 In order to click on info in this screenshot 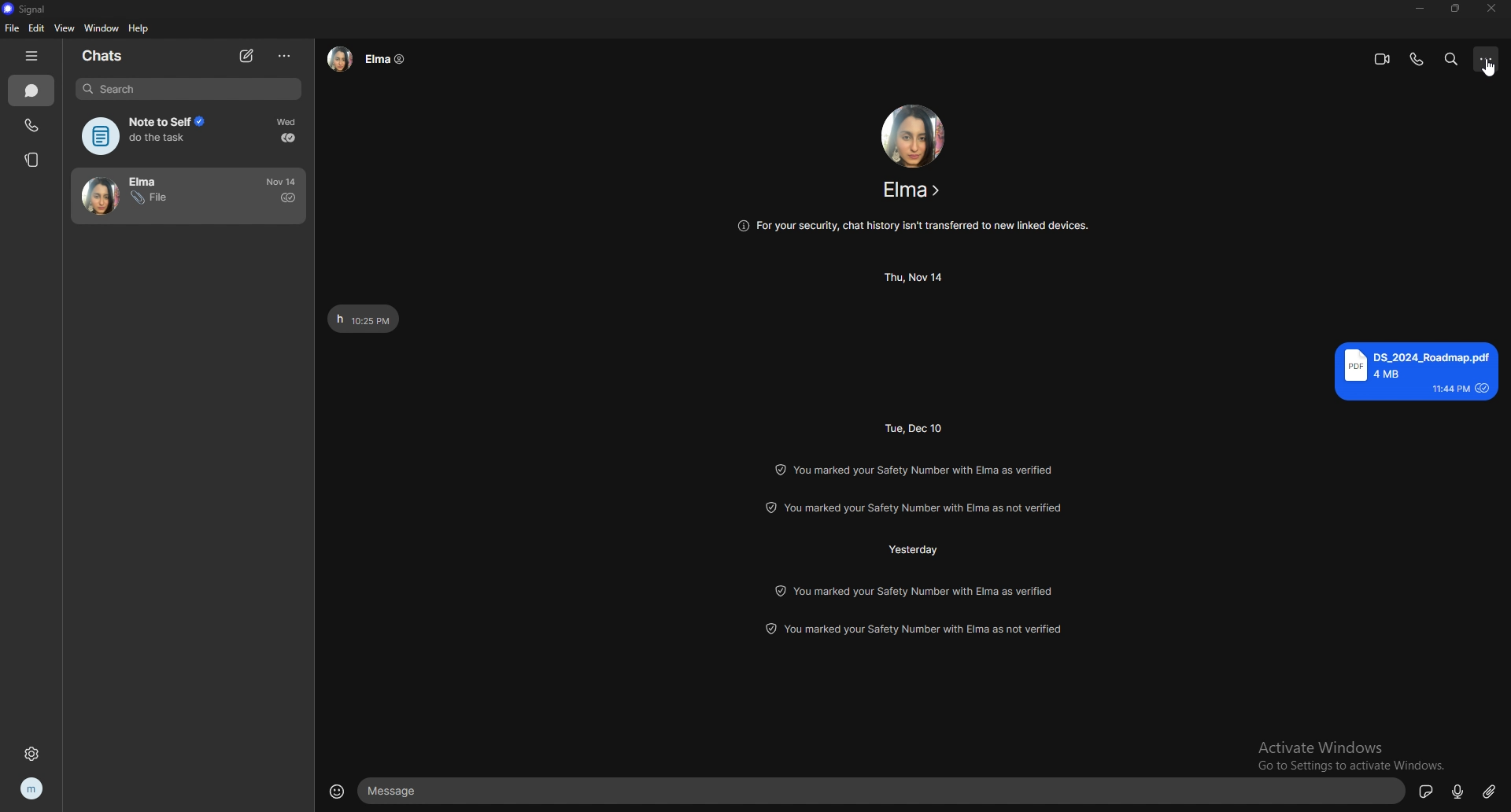, I will do `click(914, 224)`.